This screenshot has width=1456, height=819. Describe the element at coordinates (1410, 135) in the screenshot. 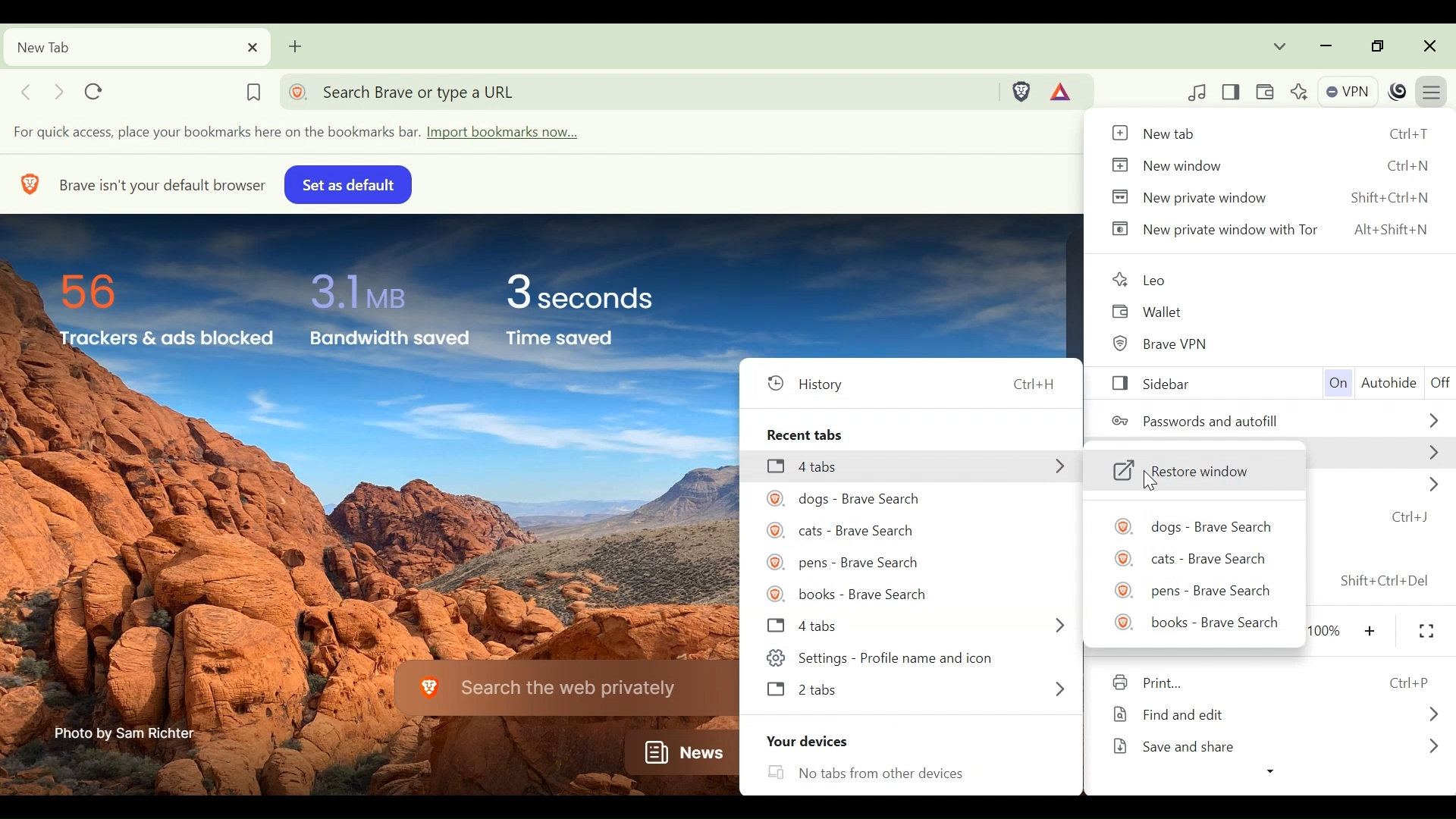

I see `Ctrl+T` at that location.